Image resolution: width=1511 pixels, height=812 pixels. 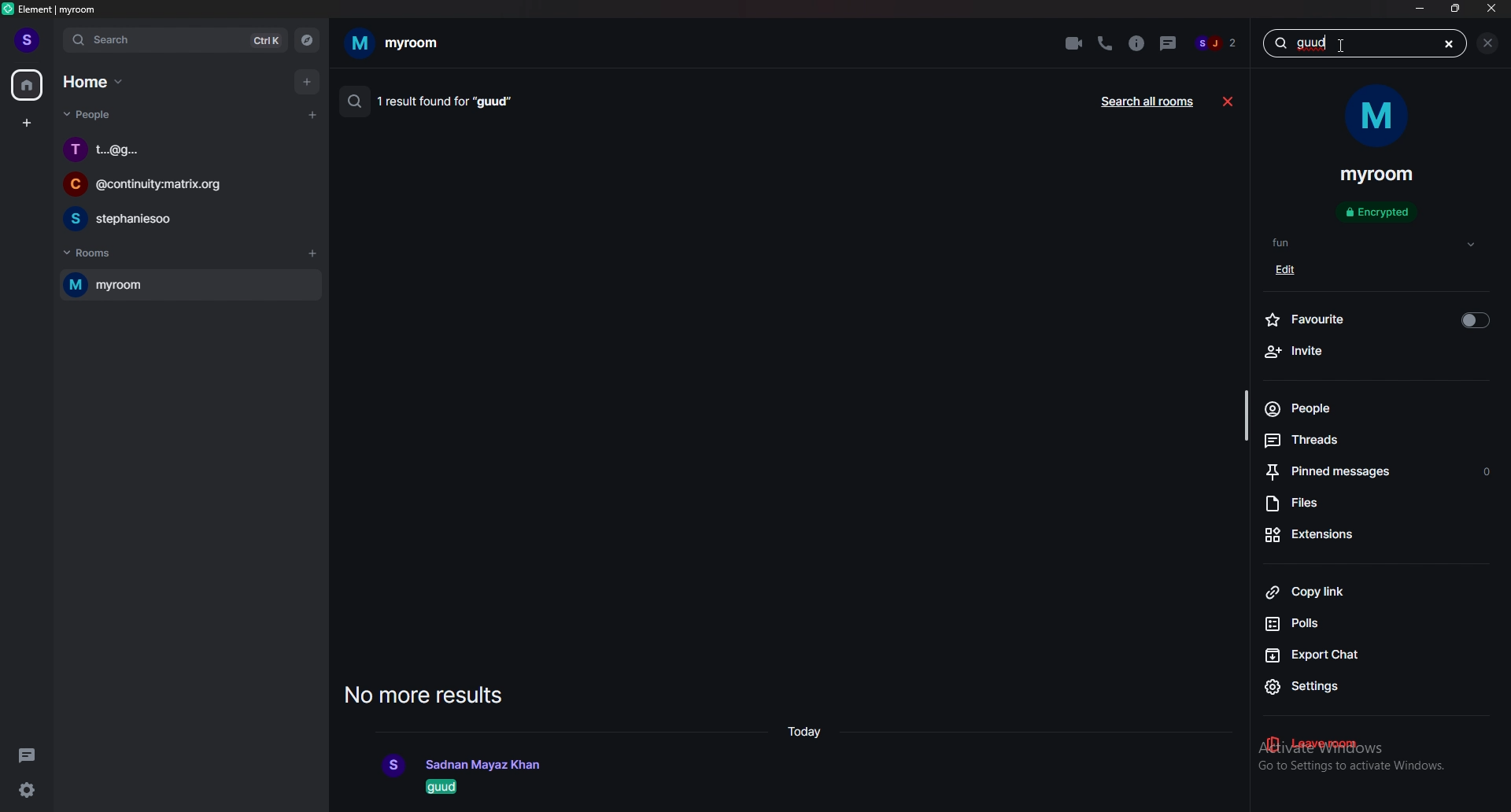 What do you see at coordinates (1379, 319) in the screenshot?
I see `favourite` at bounding box center [1379, 319].